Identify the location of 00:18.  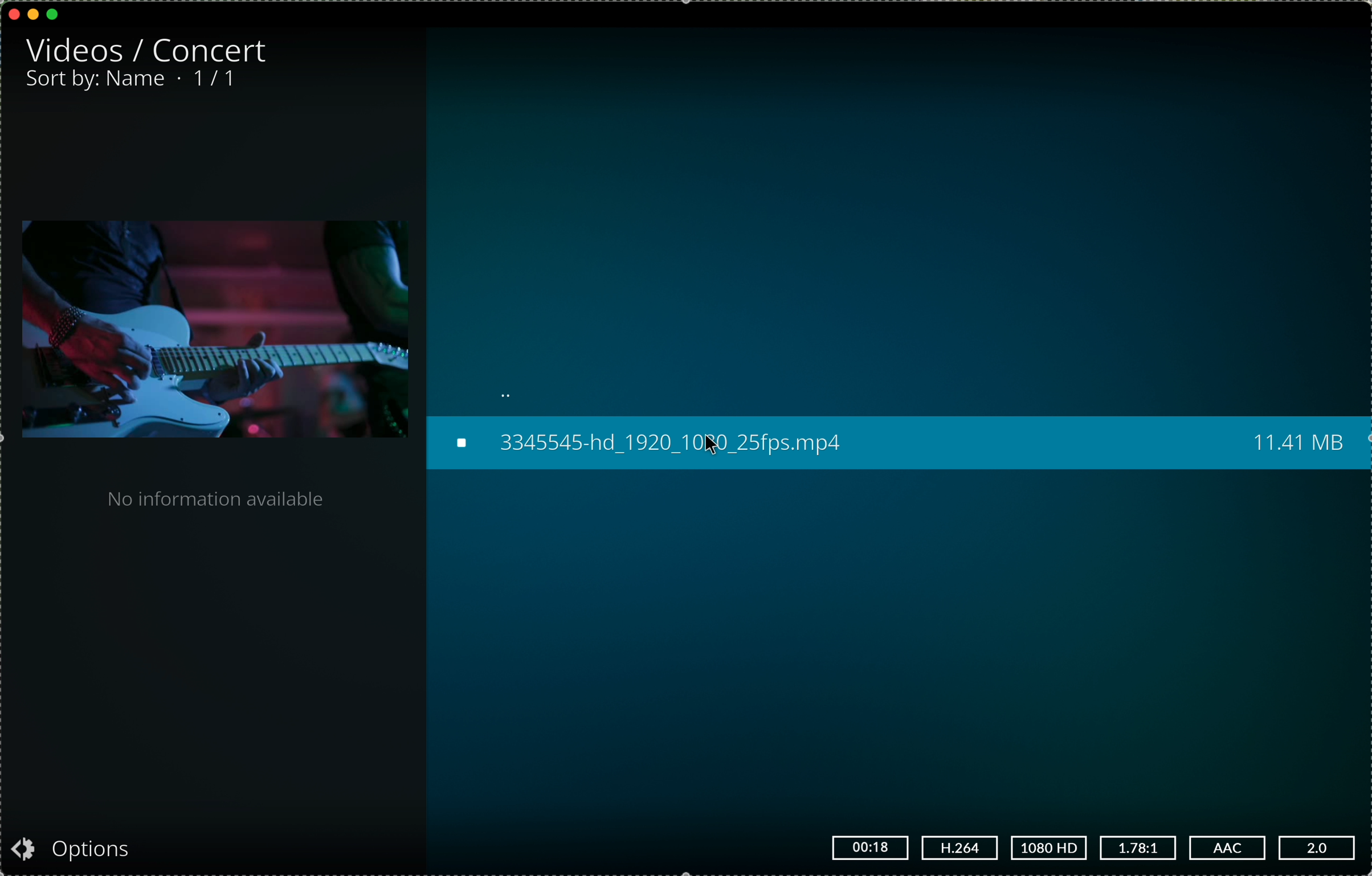
(871, 848).